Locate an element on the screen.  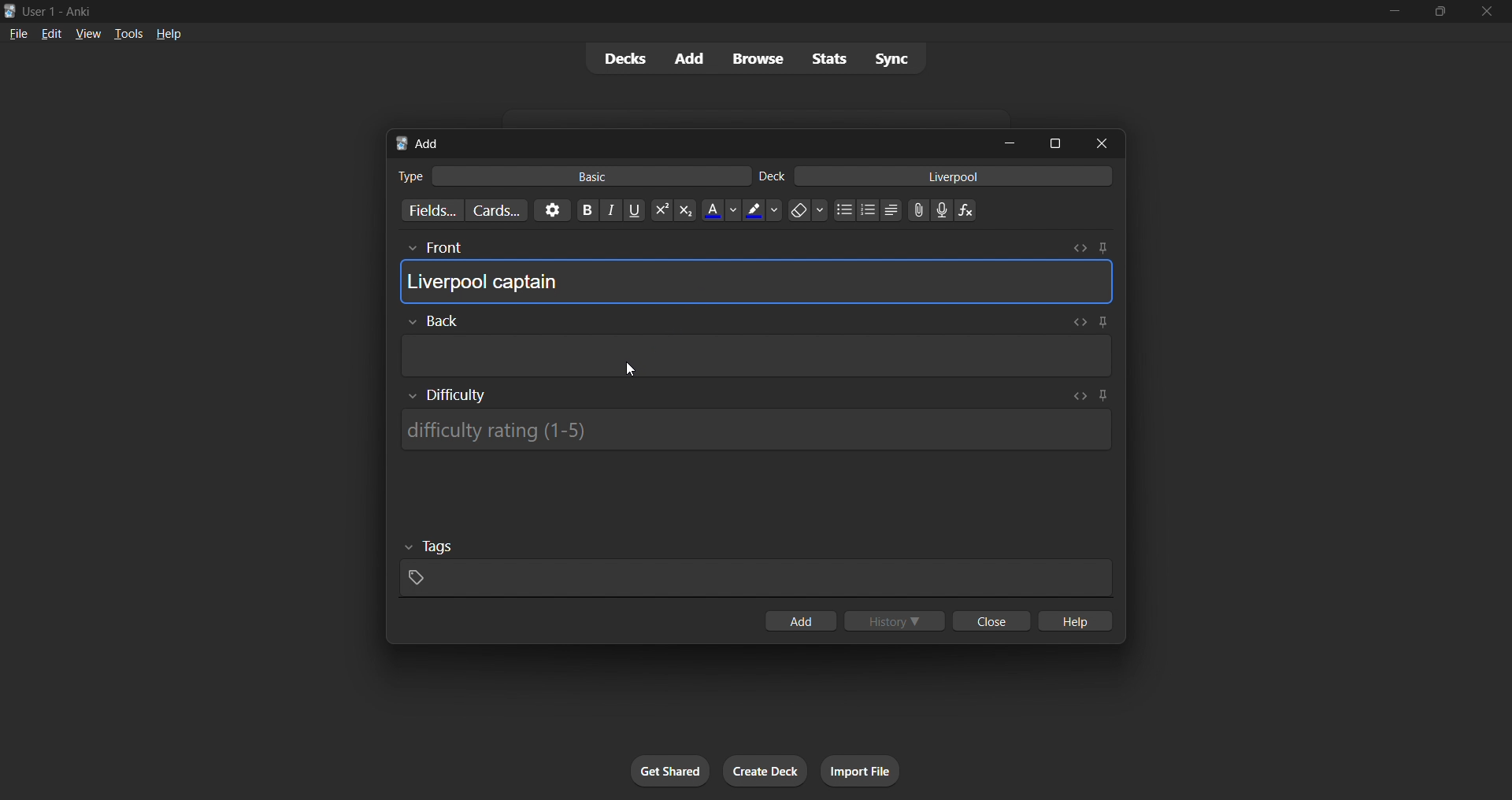
Text is located at coordinates (409, 176).